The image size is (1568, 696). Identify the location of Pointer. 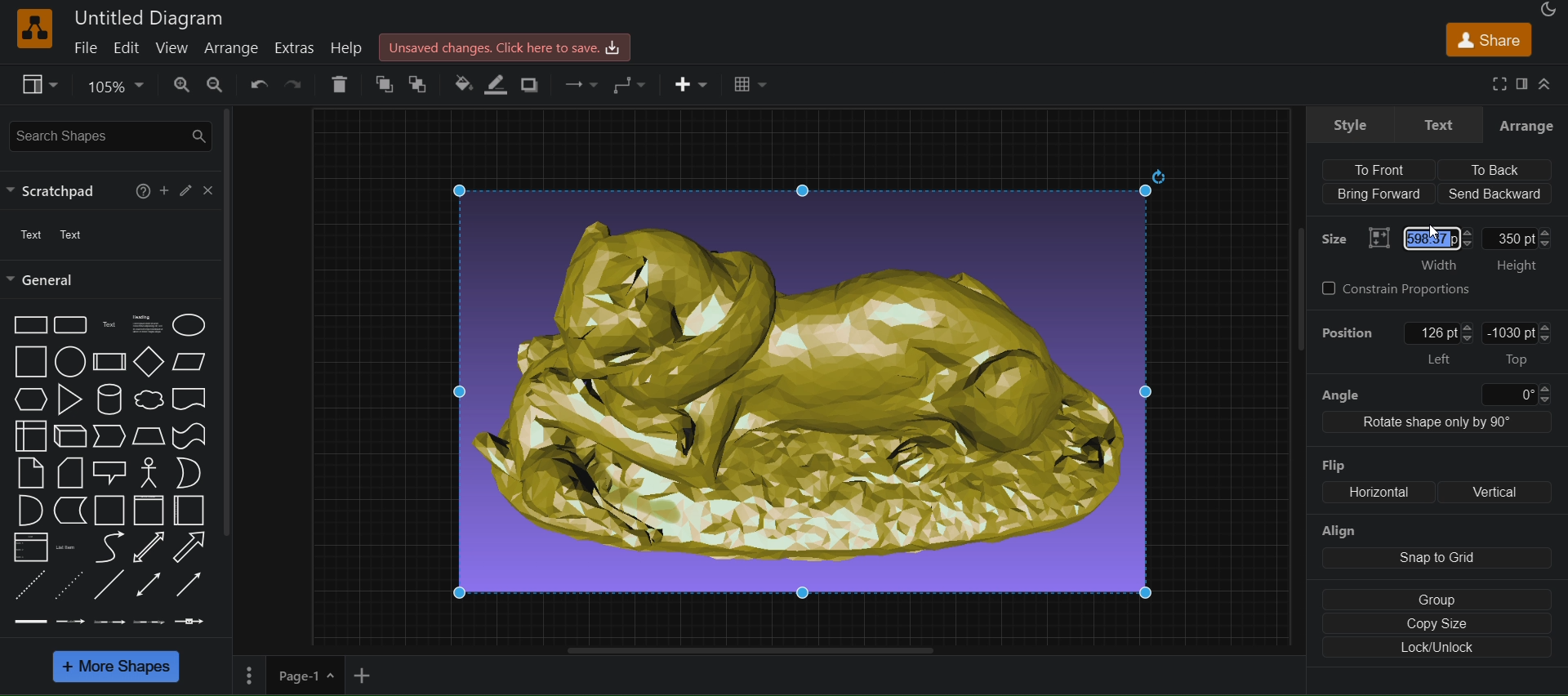
(1442, 234).